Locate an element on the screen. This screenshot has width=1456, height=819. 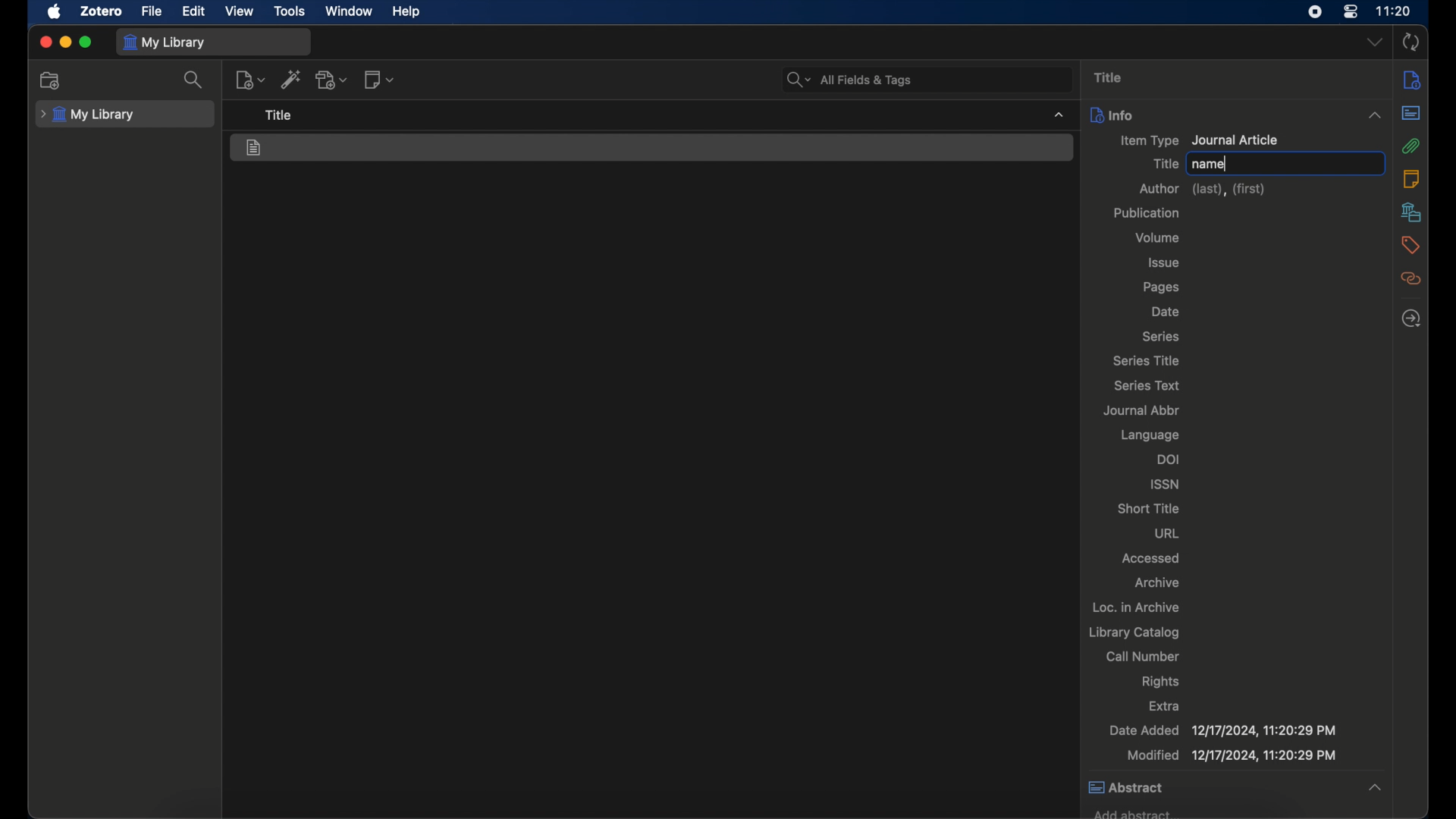
abstract is located at coordinates (1411, 112).